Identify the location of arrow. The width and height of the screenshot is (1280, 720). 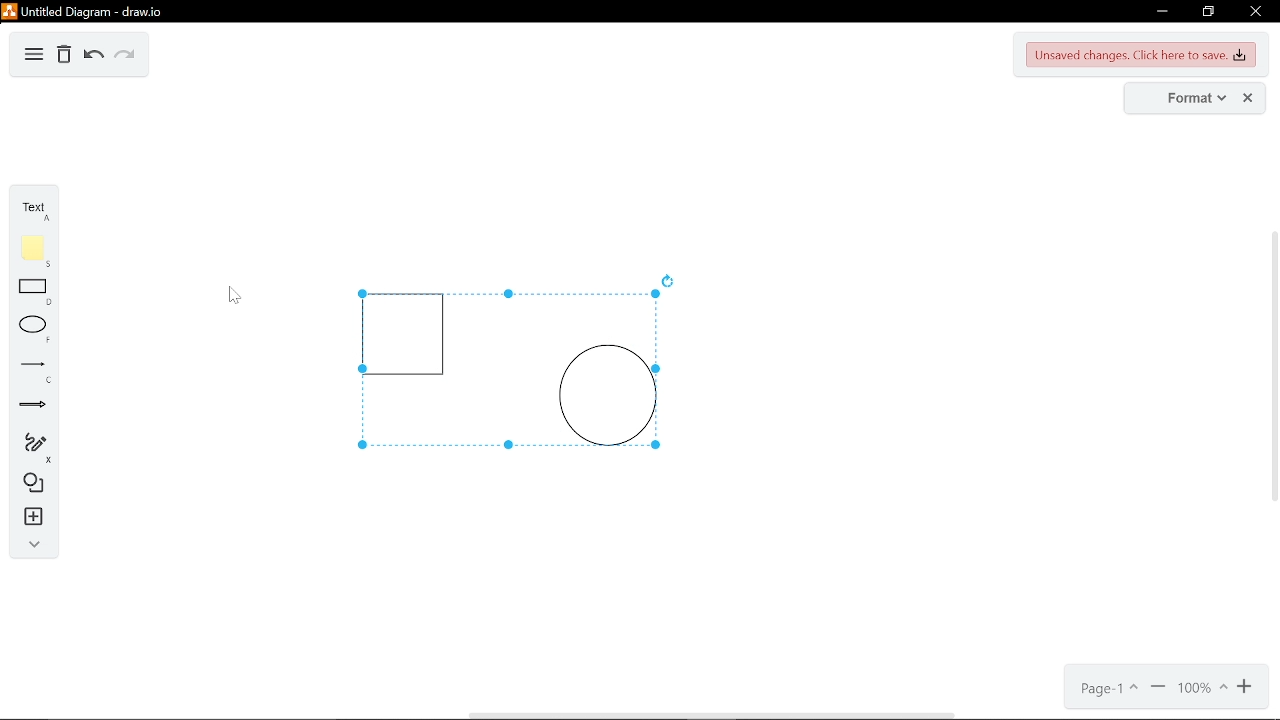
(30, 405).